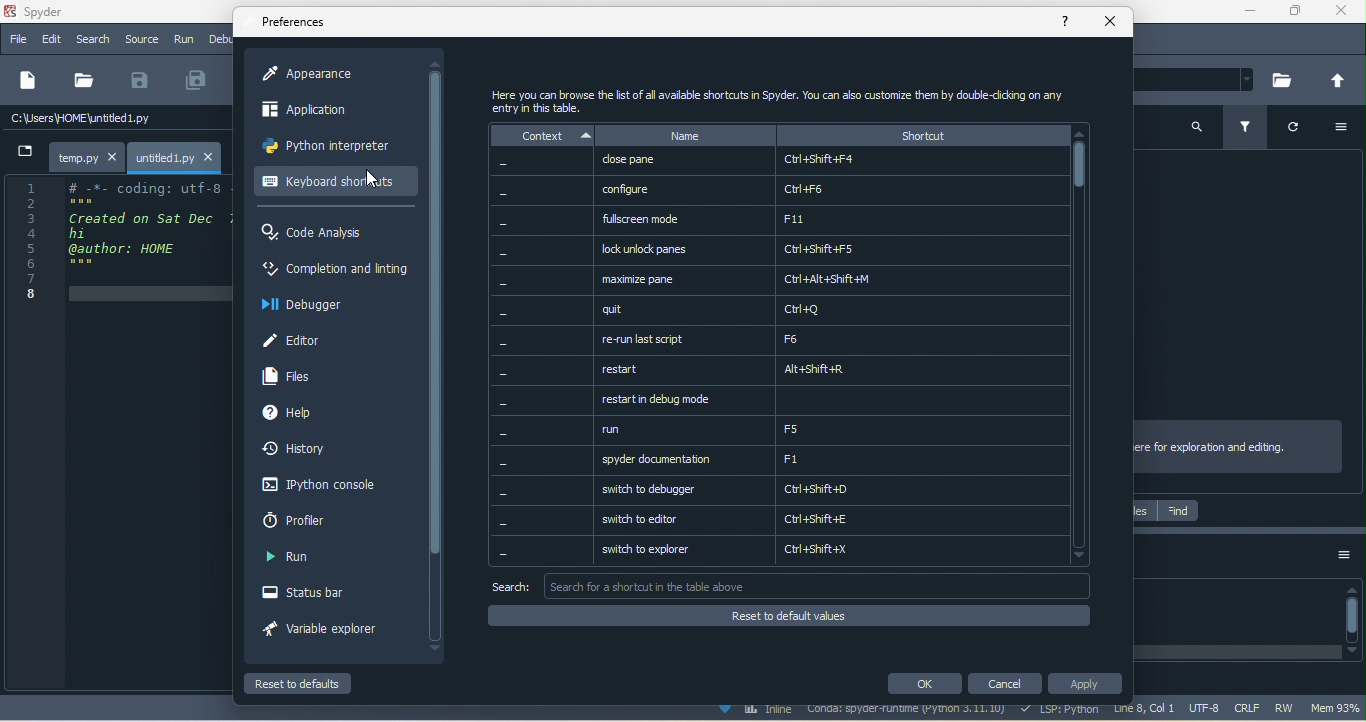  I want to click on code in editor pane, so click(120, 241).